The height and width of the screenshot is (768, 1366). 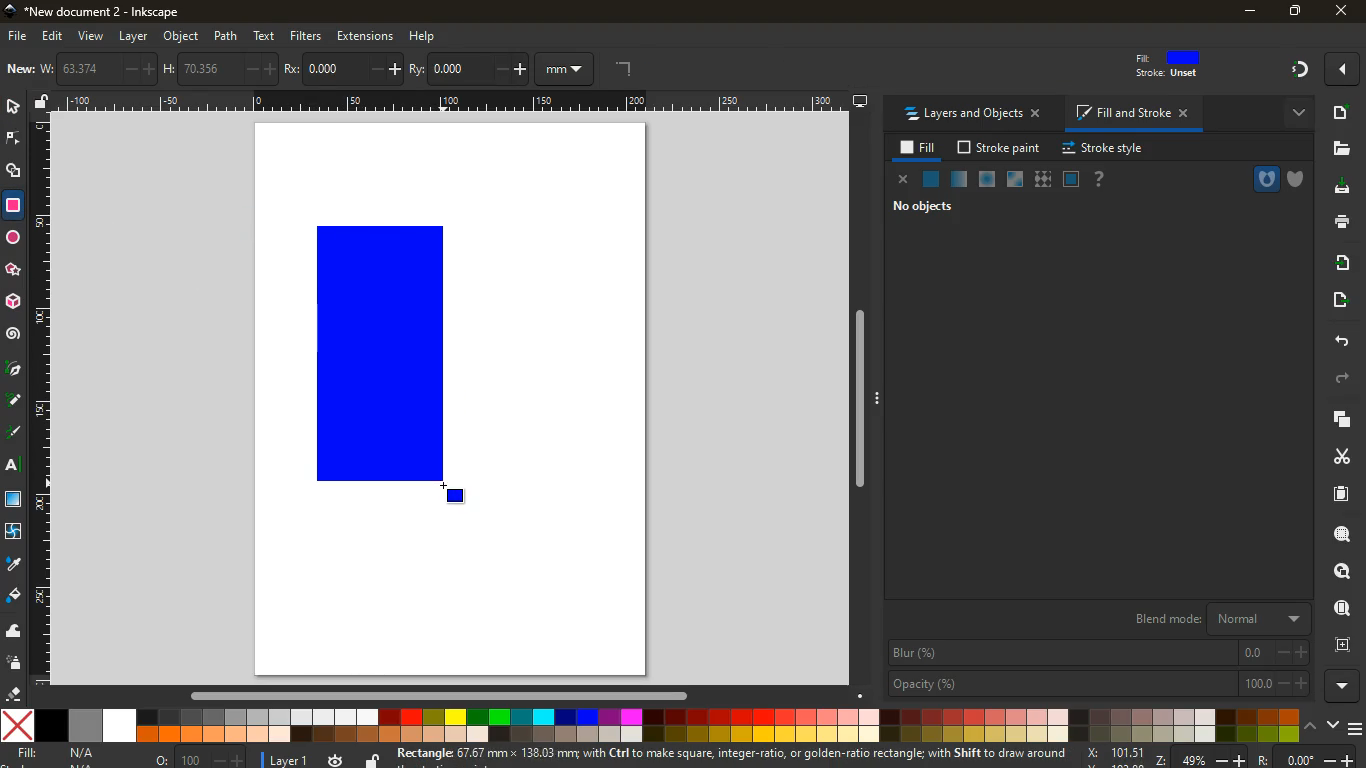 I want to click on frame, so click(x=1344, y=646).